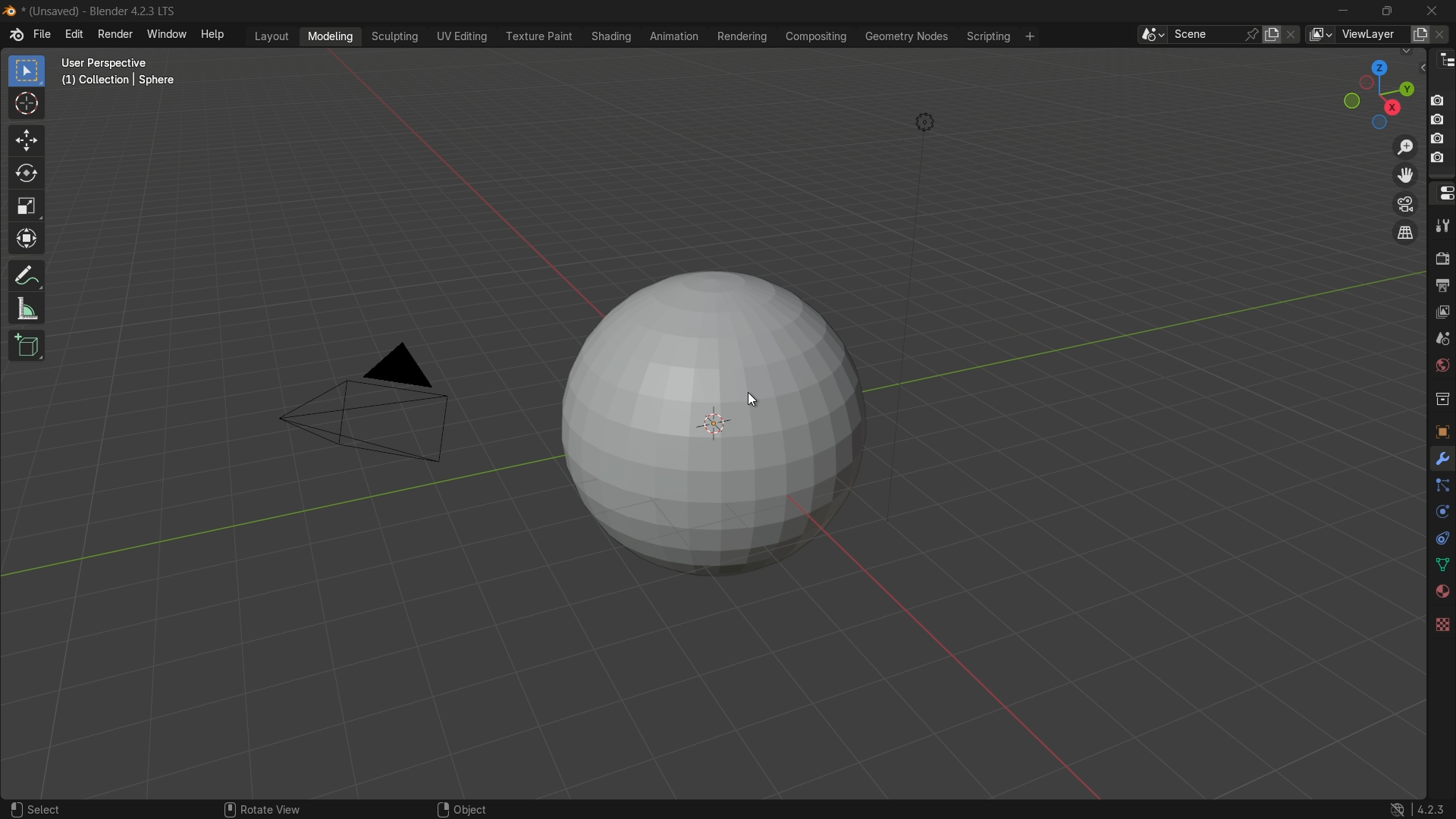  Describe the element at coordinates (817, 37) in the screenshot. I see `compositing menu` at that location.